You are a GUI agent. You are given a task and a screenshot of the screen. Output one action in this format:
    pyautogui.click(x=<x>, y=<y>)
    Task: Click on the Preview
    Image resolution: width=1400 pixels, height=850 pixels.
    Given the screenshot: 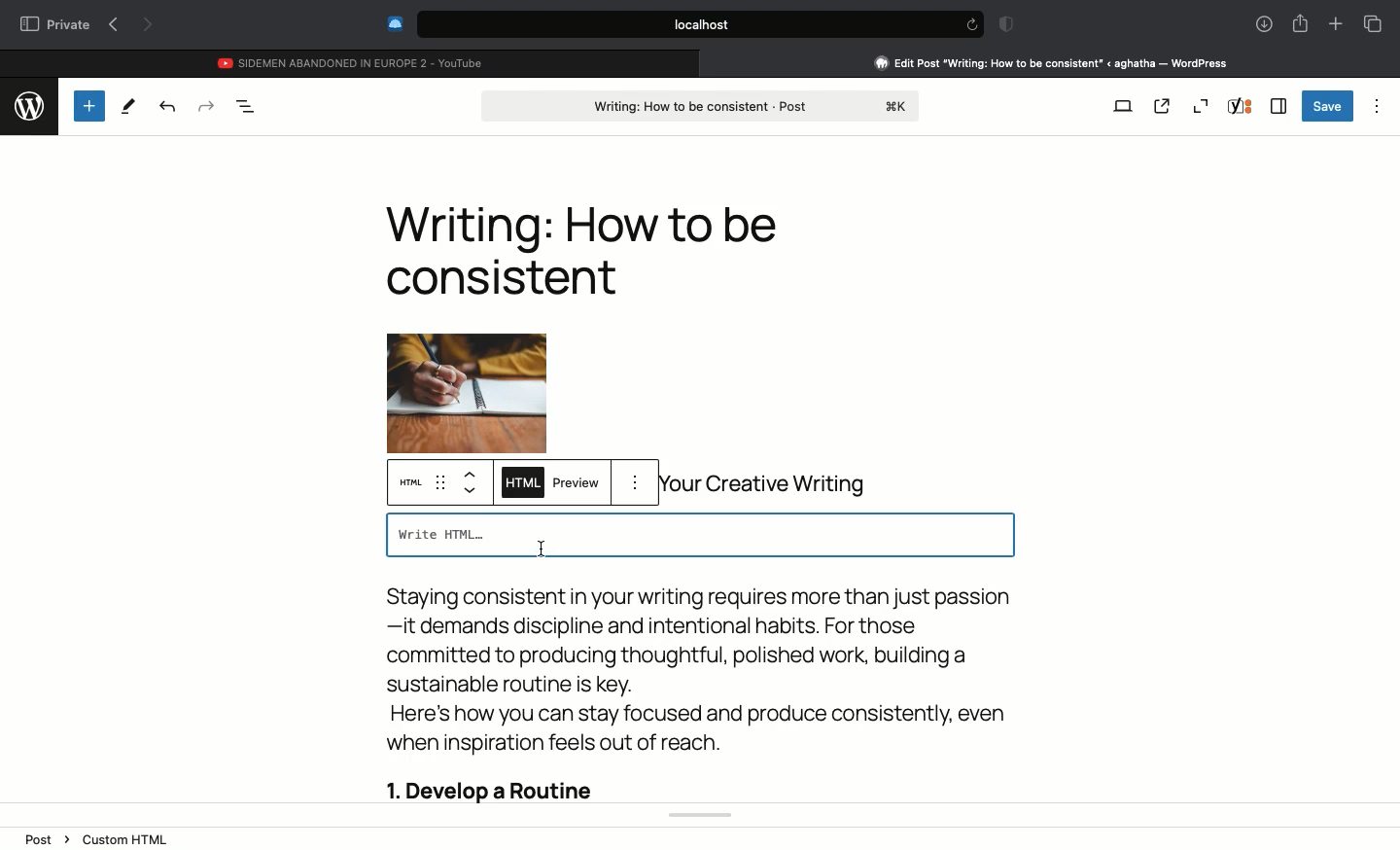 What is the action you would take?
    pyautogui.click(x=577, y=485)
    